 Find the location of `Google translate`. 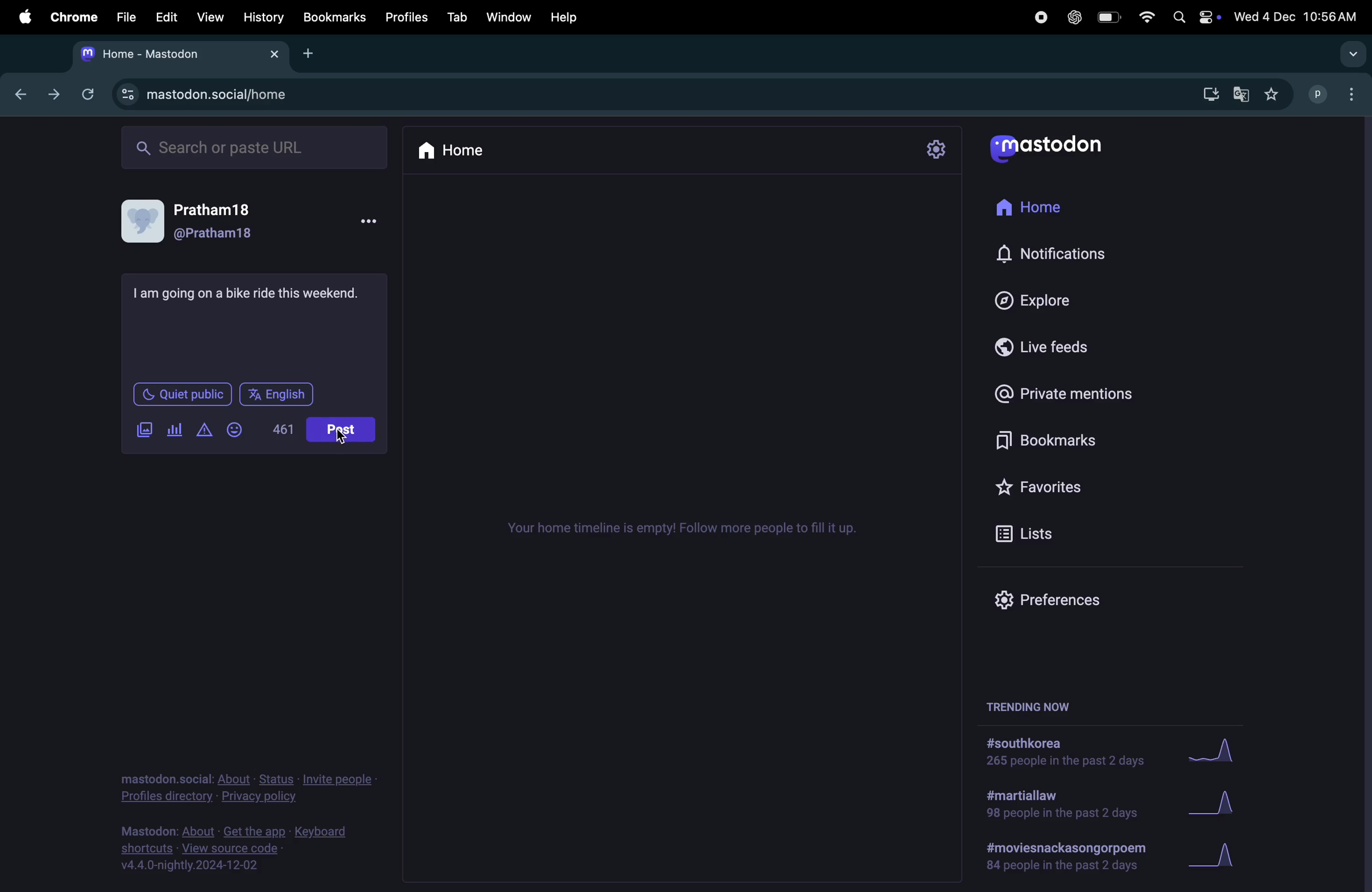

Google translate is located at coordinates (1242, 93).